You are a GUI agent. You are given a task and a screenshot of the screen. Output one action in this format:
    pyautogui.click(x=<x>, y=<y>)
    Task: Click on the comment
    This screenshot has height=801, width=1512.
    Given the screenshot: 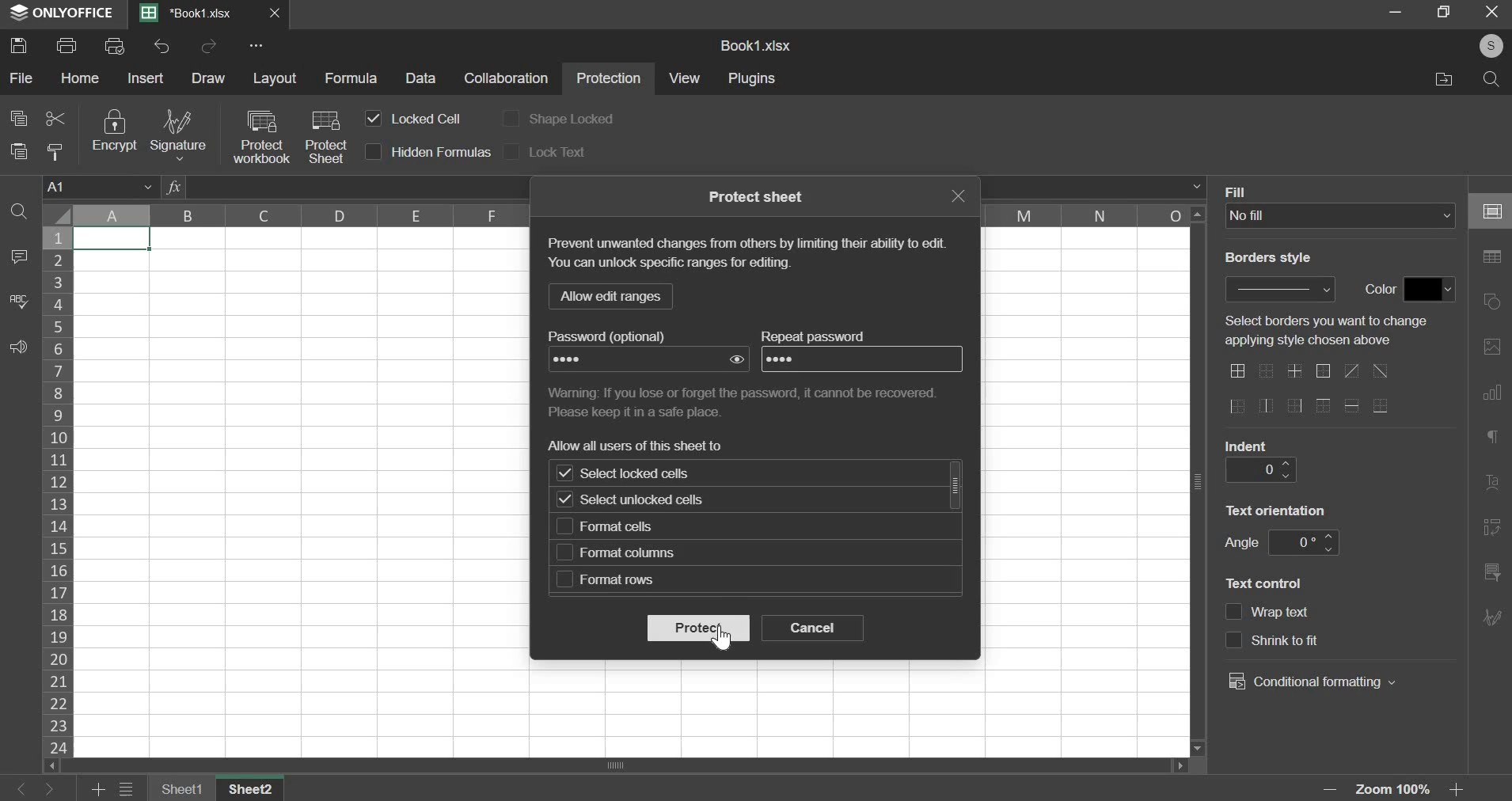 What is the action you would take?
    pyautogui.click(x=16, y=257)
    